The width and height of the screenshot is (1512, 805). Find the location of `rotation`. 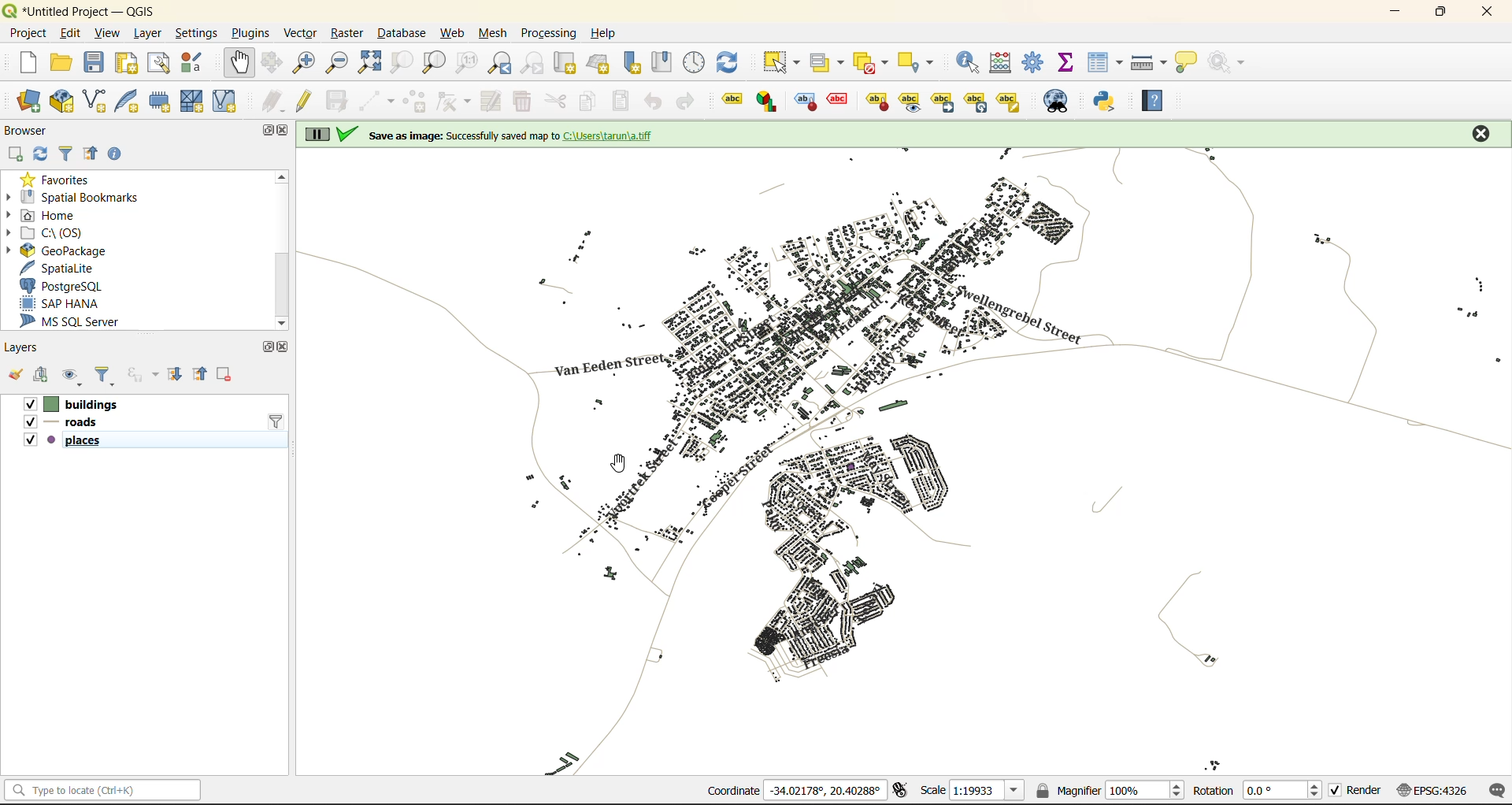

rotation is located at coordinates (1258, 789).